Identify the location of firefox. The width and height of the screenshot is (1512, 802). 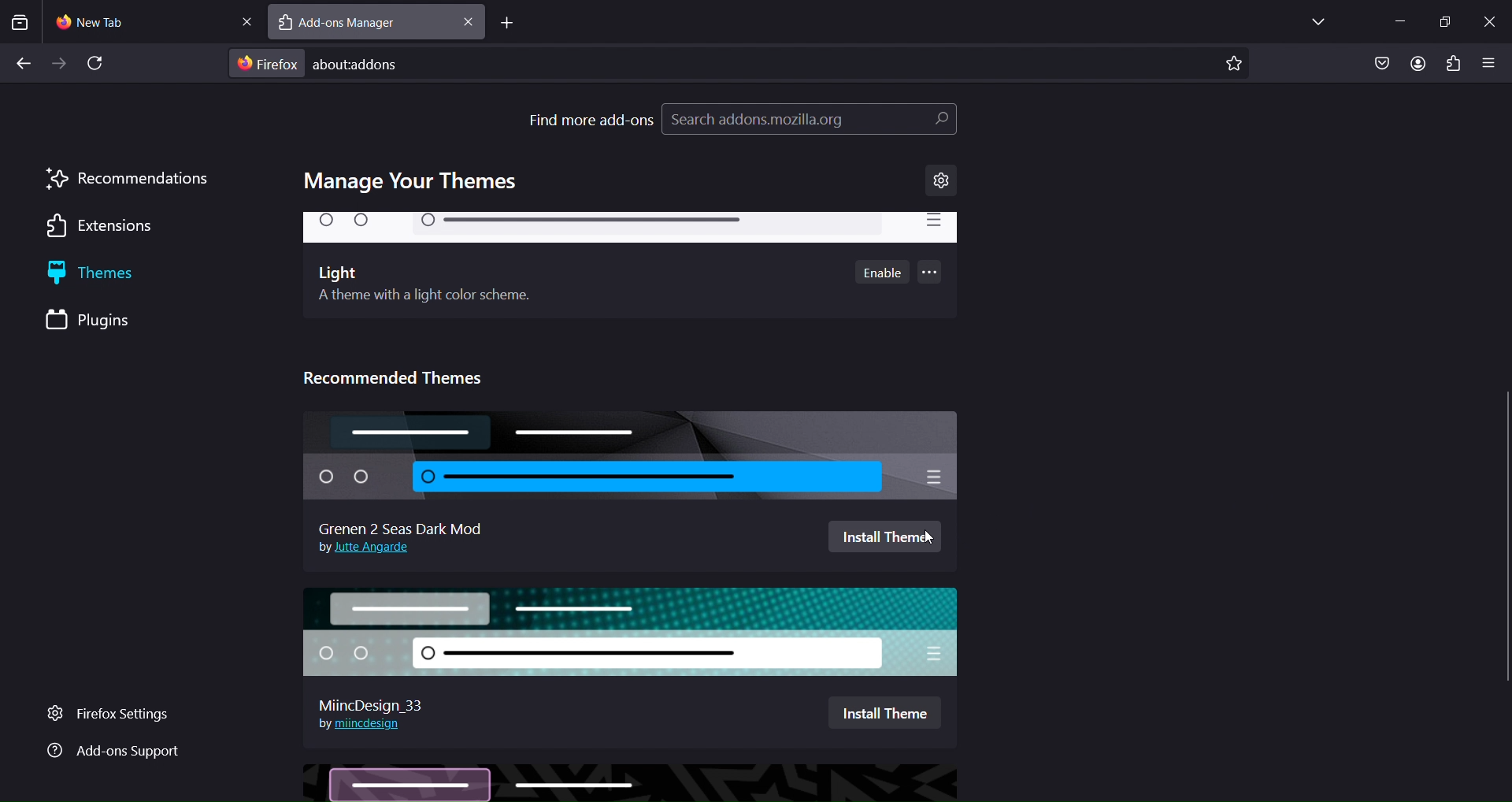
(269, 63).